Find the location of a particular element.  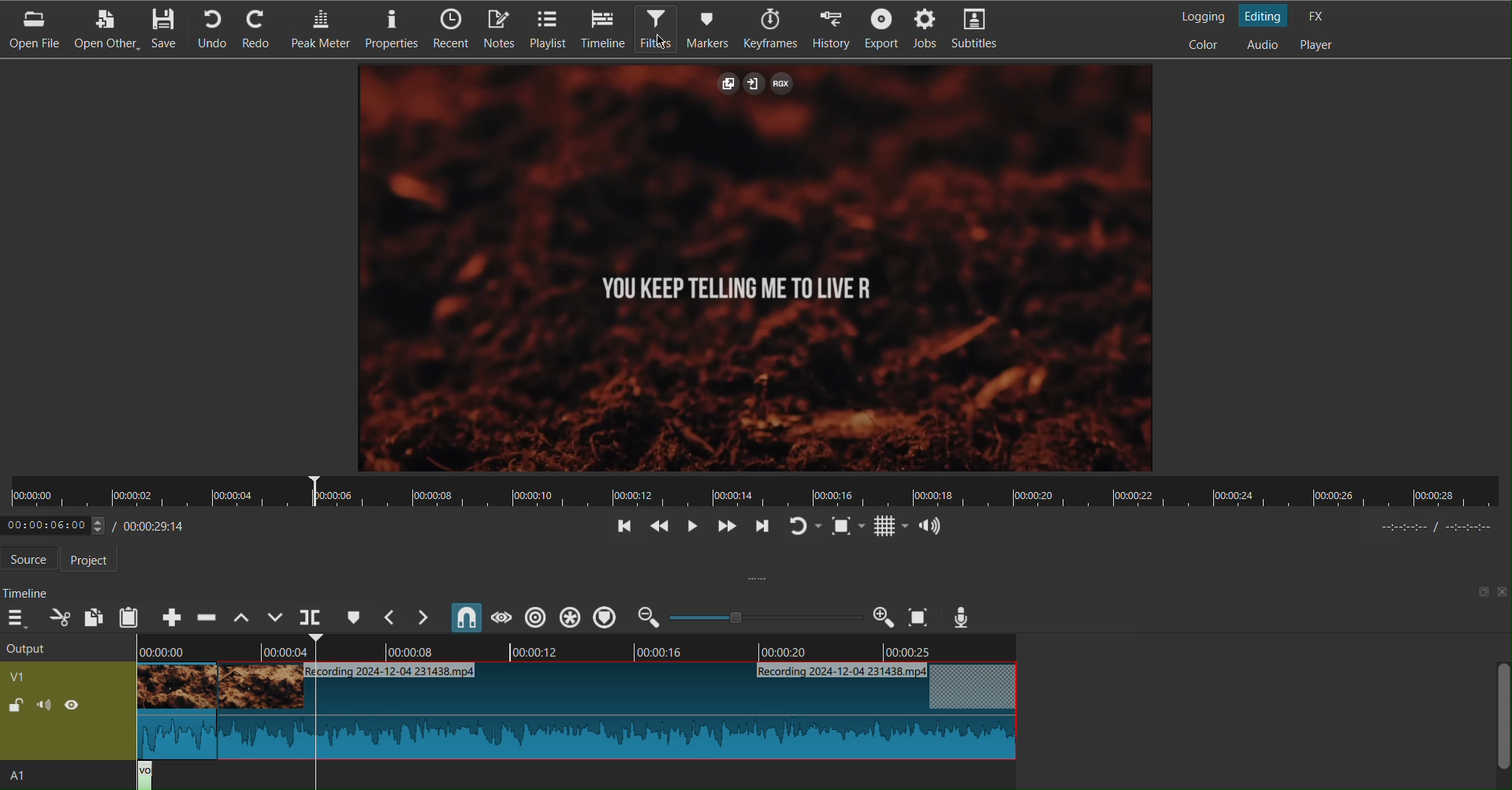

Snap is located at coordinates (467, 617).